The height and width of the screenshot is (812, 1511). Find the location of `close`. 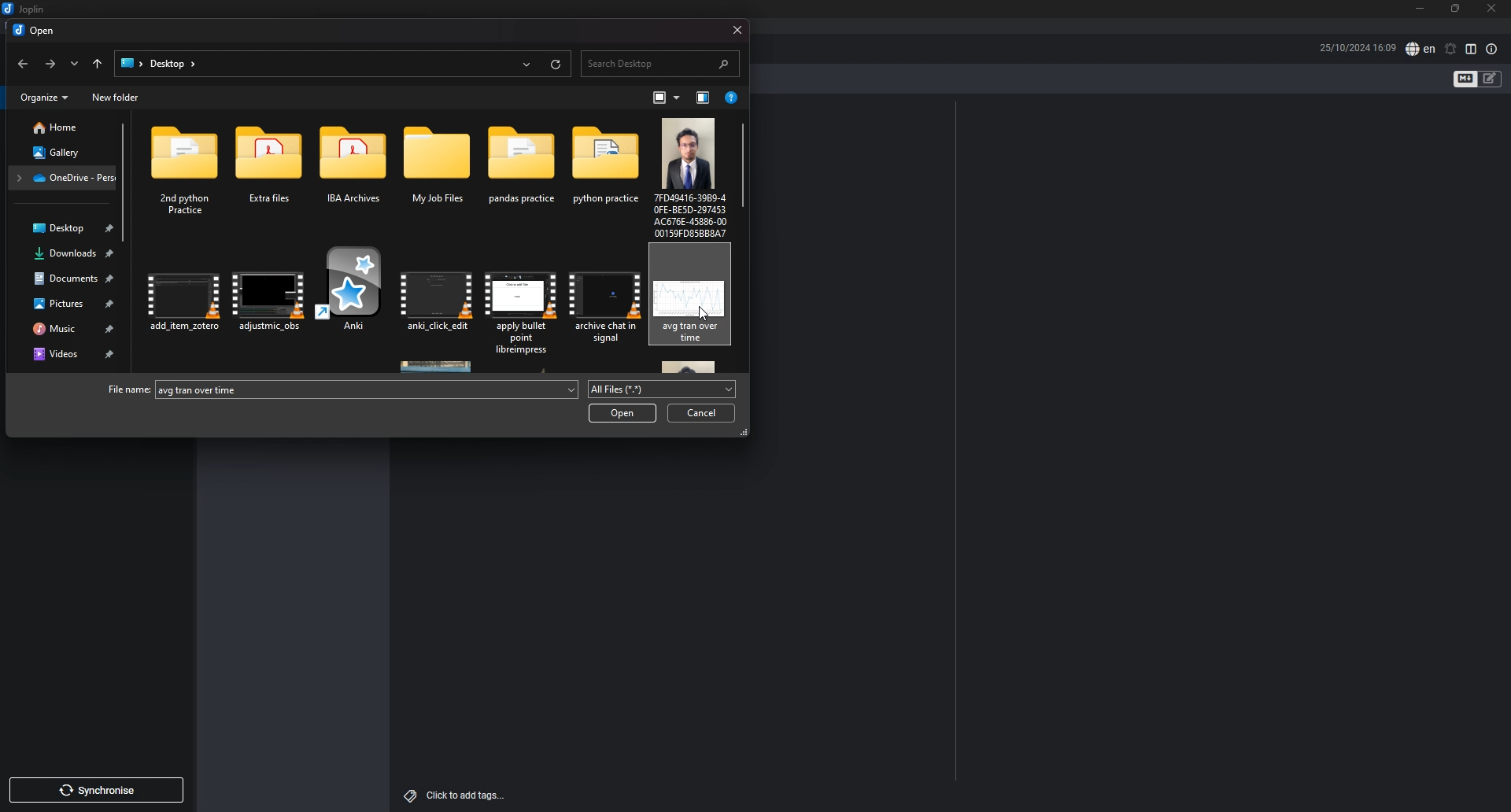

close is located at coordinates (733, 28).